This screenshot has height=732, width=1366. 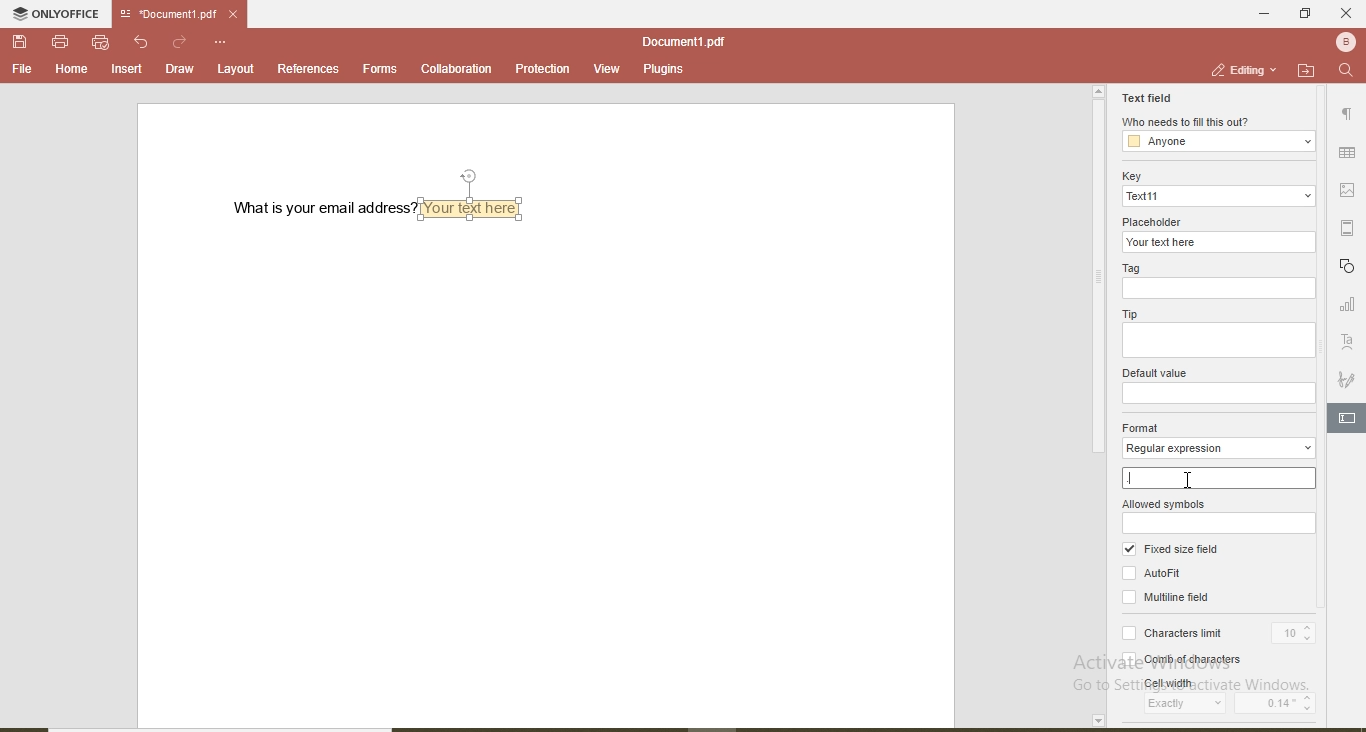 I want to click on key, so click(x=1129, y=176).